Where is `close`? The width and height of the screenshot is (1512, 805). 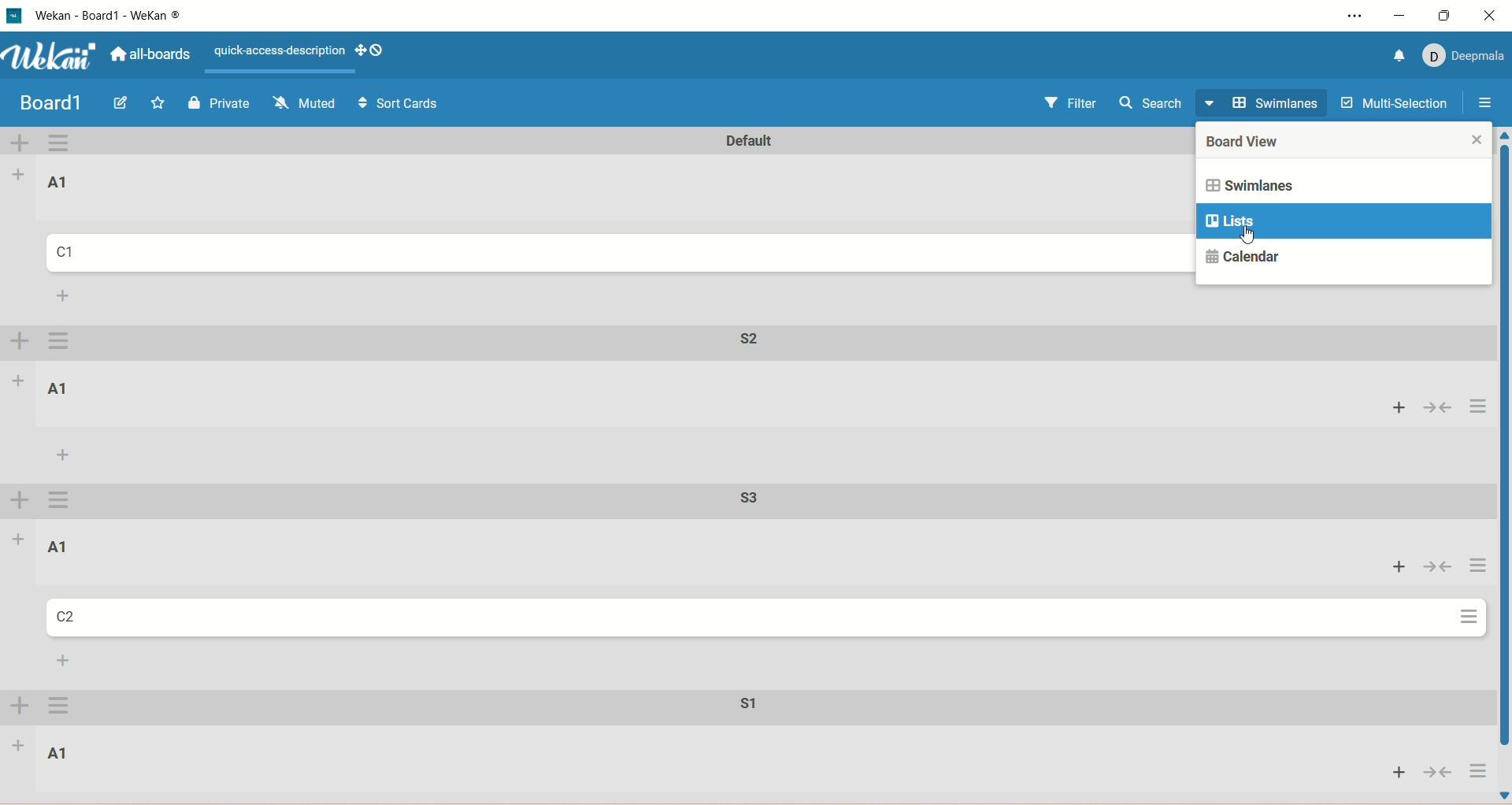 close is located at coordinates (1475, 144).